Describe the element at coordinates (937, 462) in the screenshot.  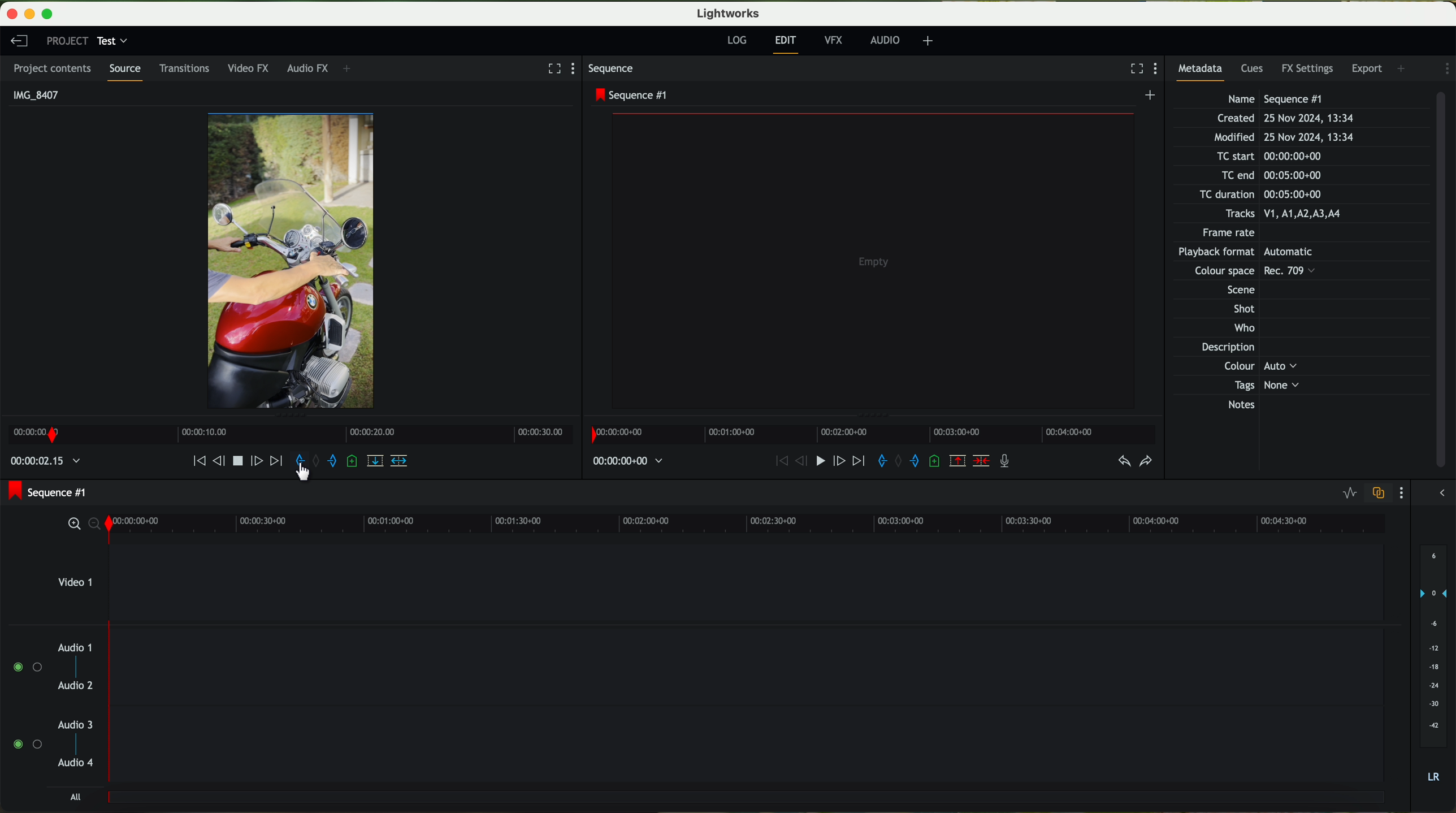
I see `add a cue at the current position` at that location.